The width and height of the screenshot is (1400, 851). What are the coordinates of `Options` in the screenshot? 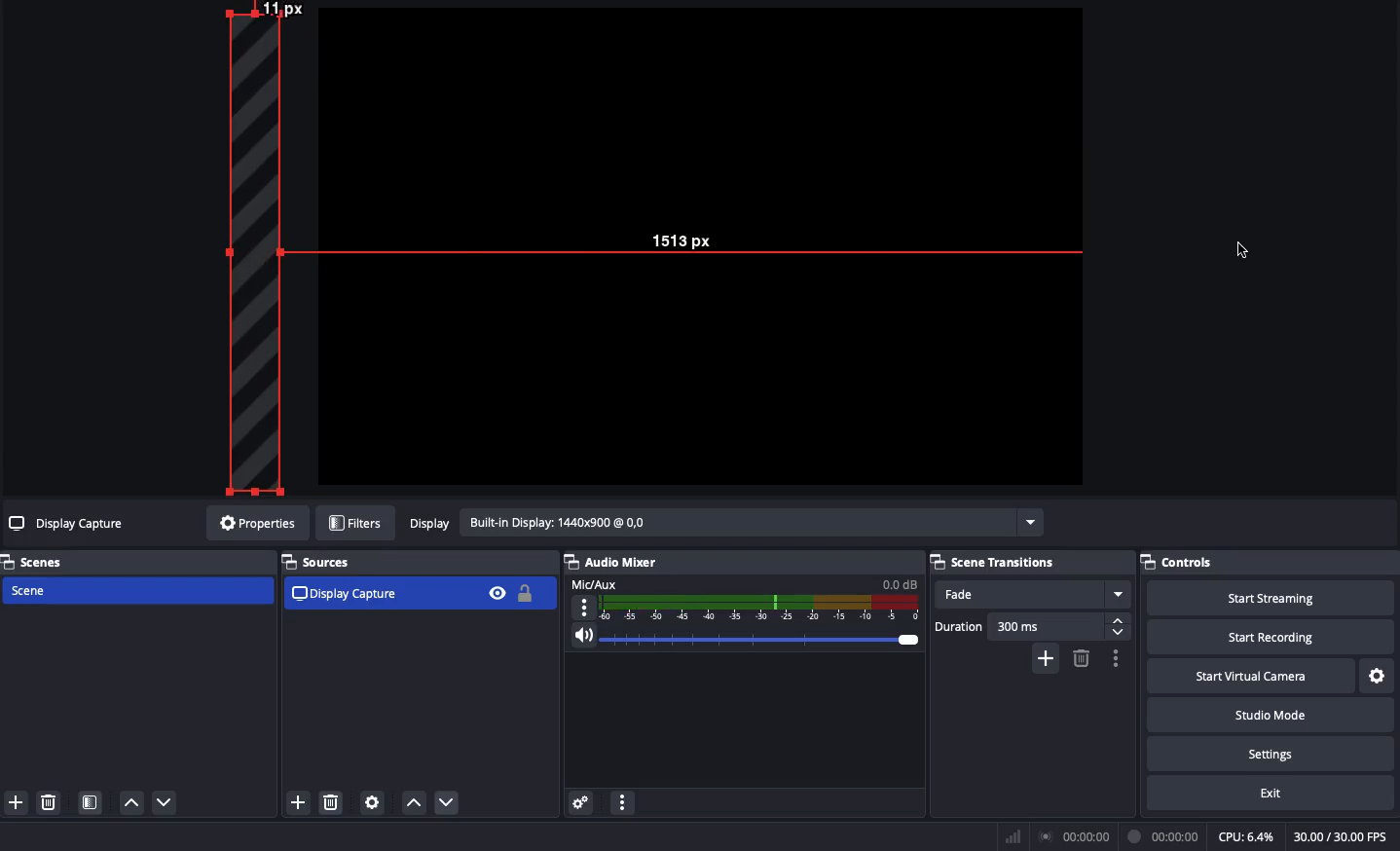 It's located at (1113, 658).